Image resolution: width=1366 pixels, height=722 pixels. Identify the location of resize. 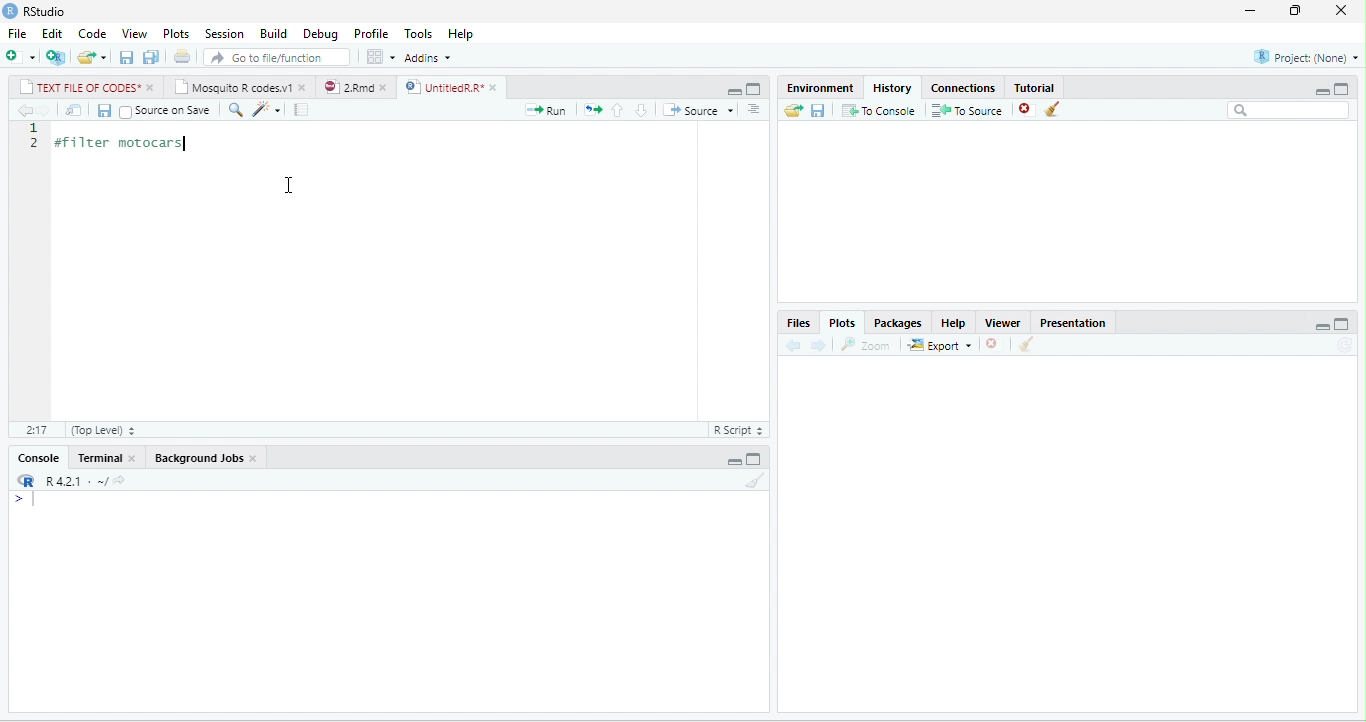
(1292, 11).